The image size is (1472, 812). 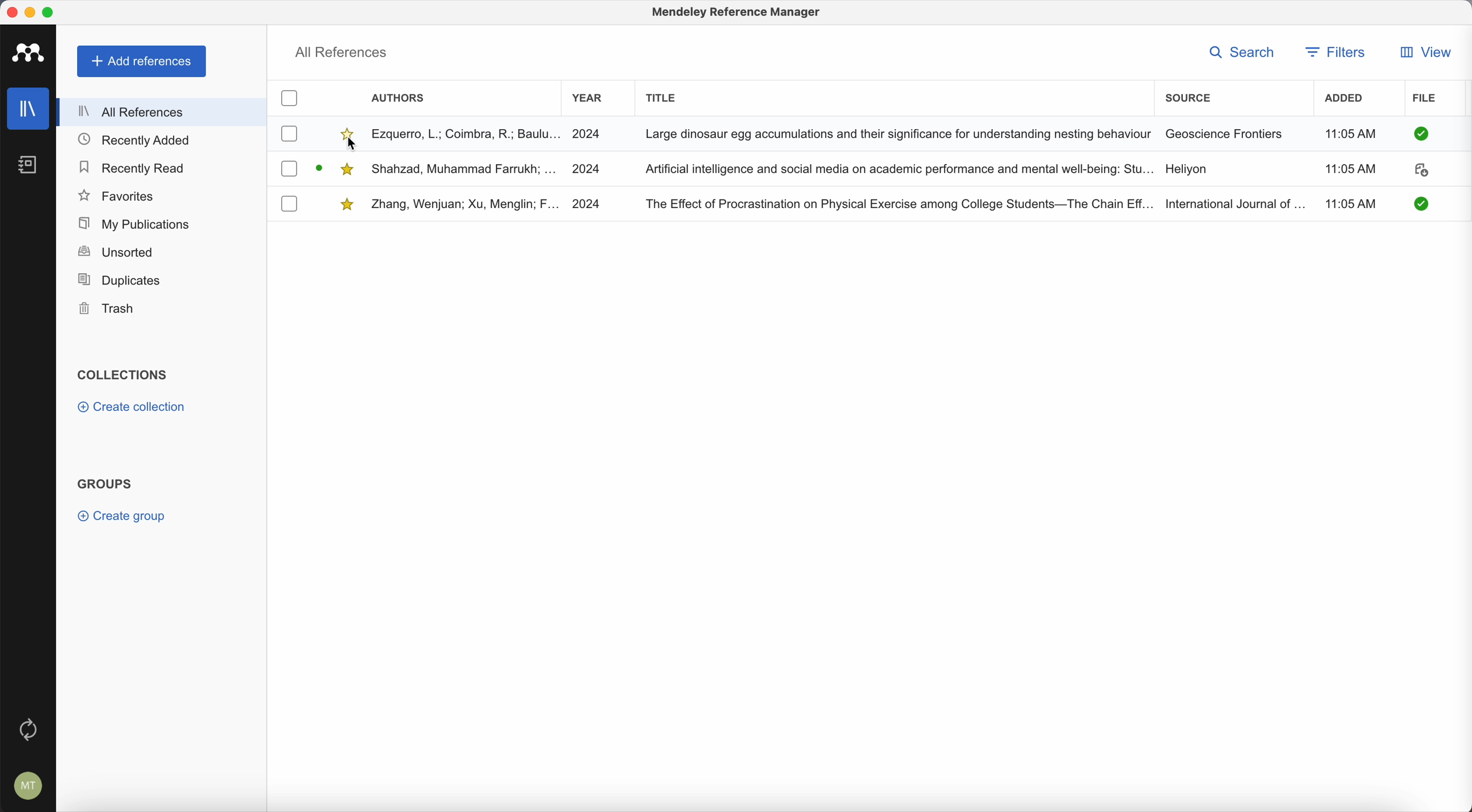 What do you see at coordinates (1188, 96) in the screenshot?
I see `source` at bounding box center [1188, 96].